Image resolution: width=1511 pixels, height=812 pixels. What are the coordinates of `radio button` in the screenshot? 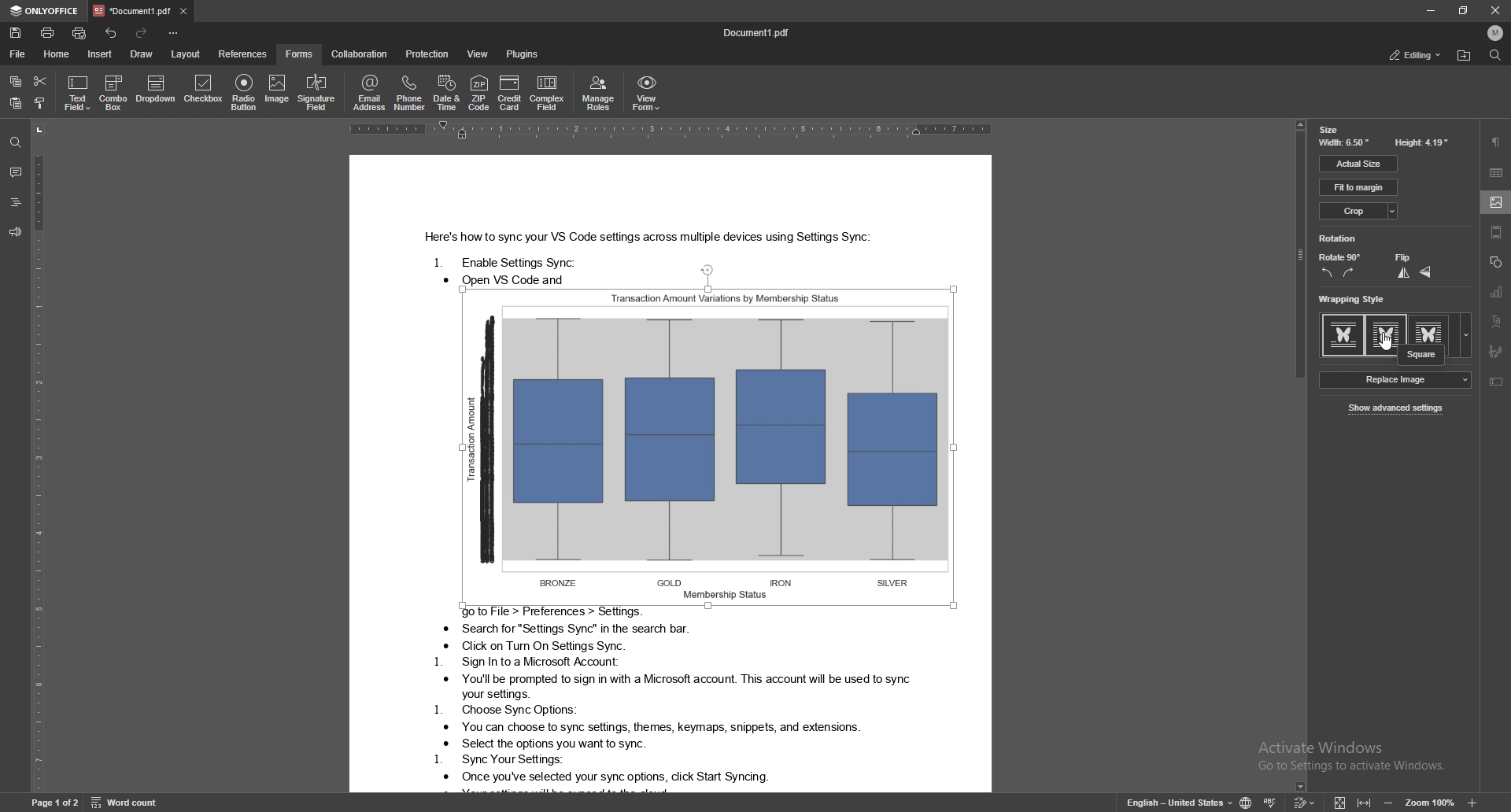 It's located at (244, 91).